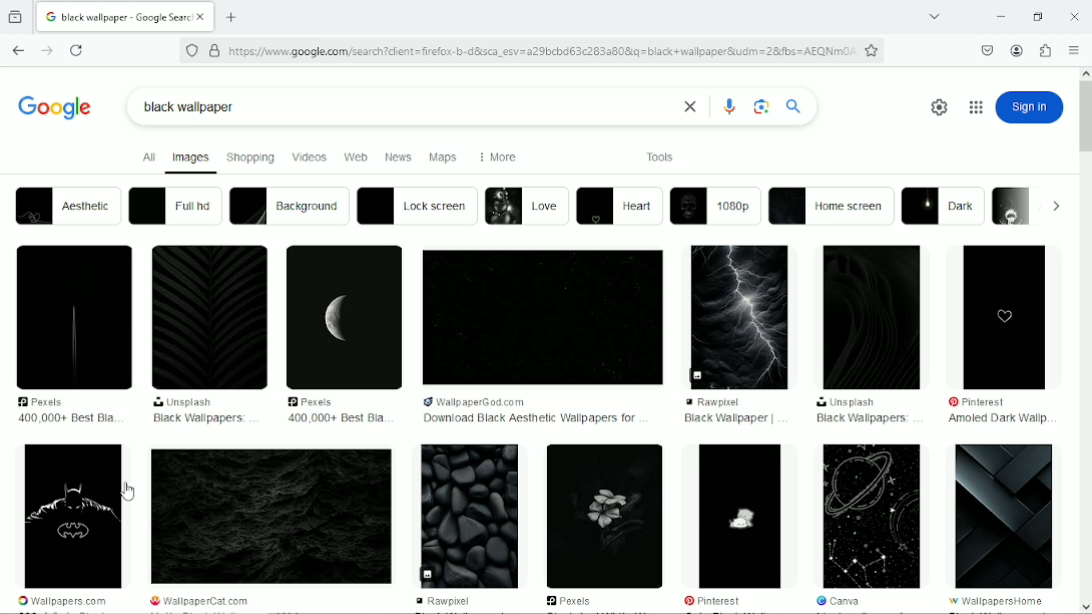  Describe the element at coordinates (1013, 205) in the screenshot. I see `image` at that location.